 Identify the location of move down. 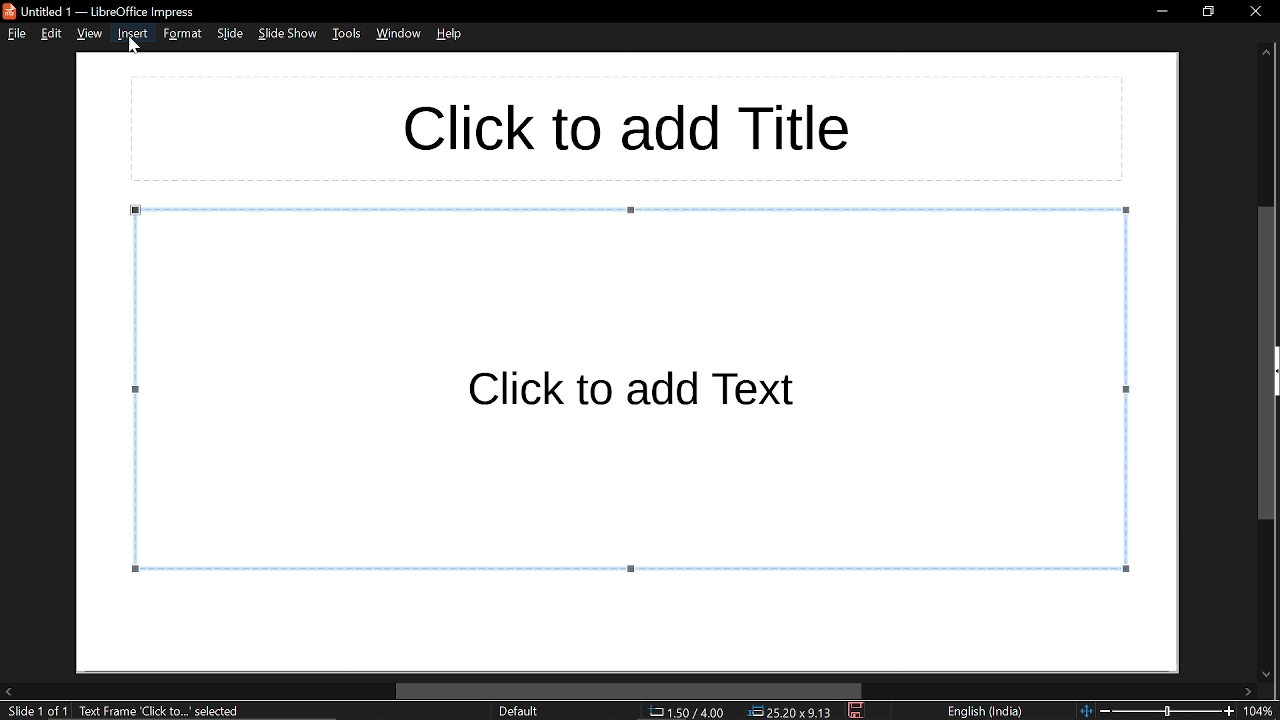
(1269, 670).